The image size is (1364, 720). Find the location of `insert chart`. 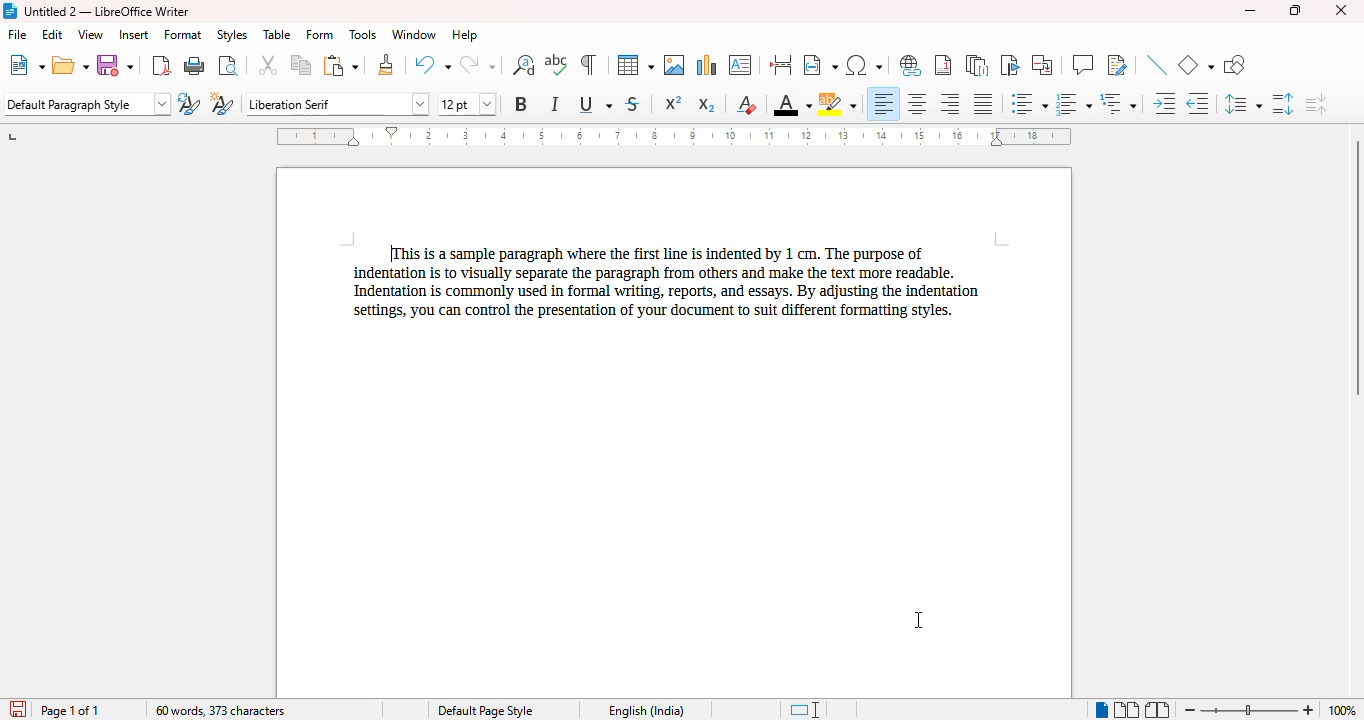

insert chart is located at coordinates (708, 64).